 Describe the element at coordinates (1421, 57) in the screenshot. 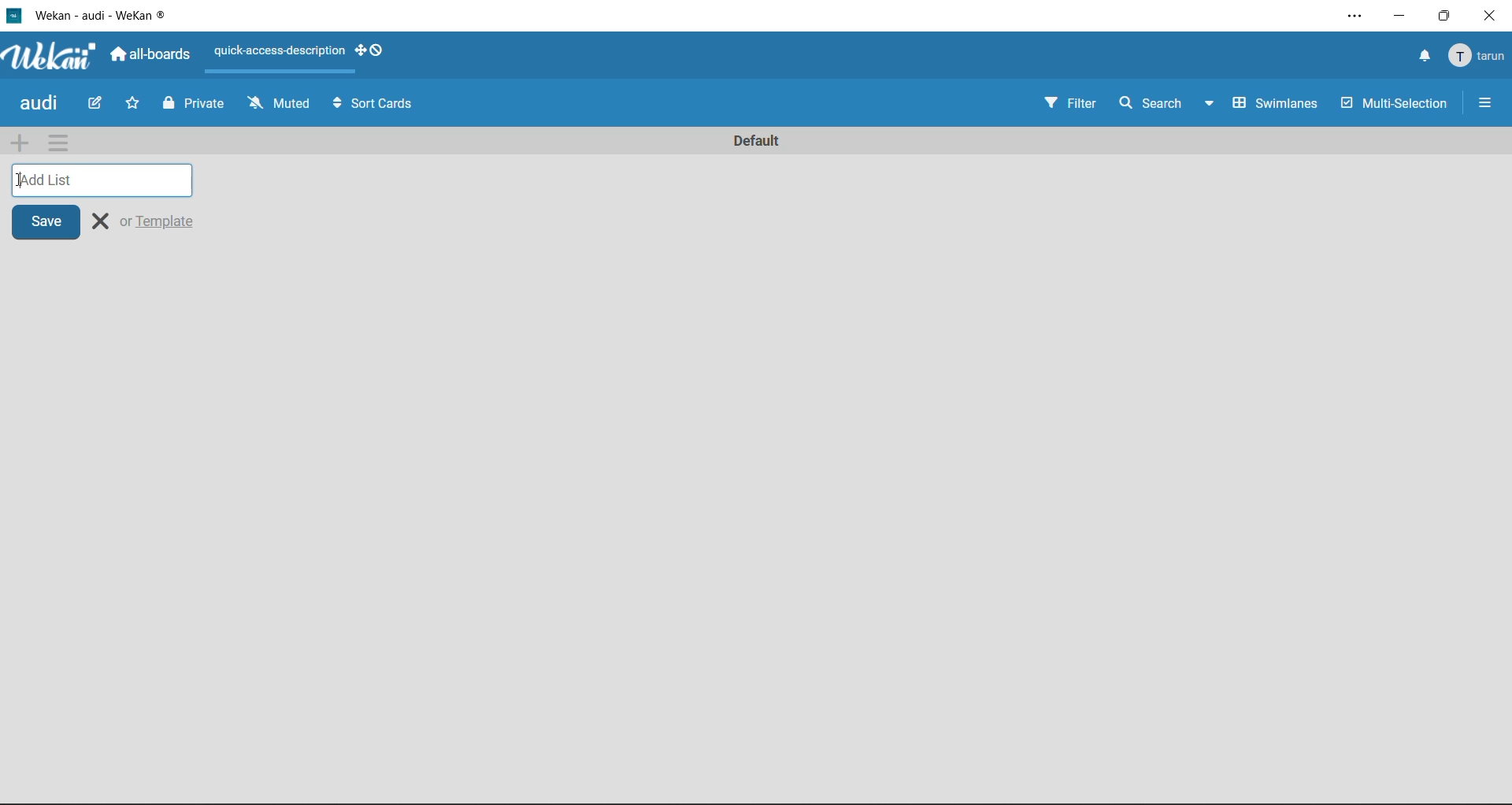

I see ` notifications` at that location.